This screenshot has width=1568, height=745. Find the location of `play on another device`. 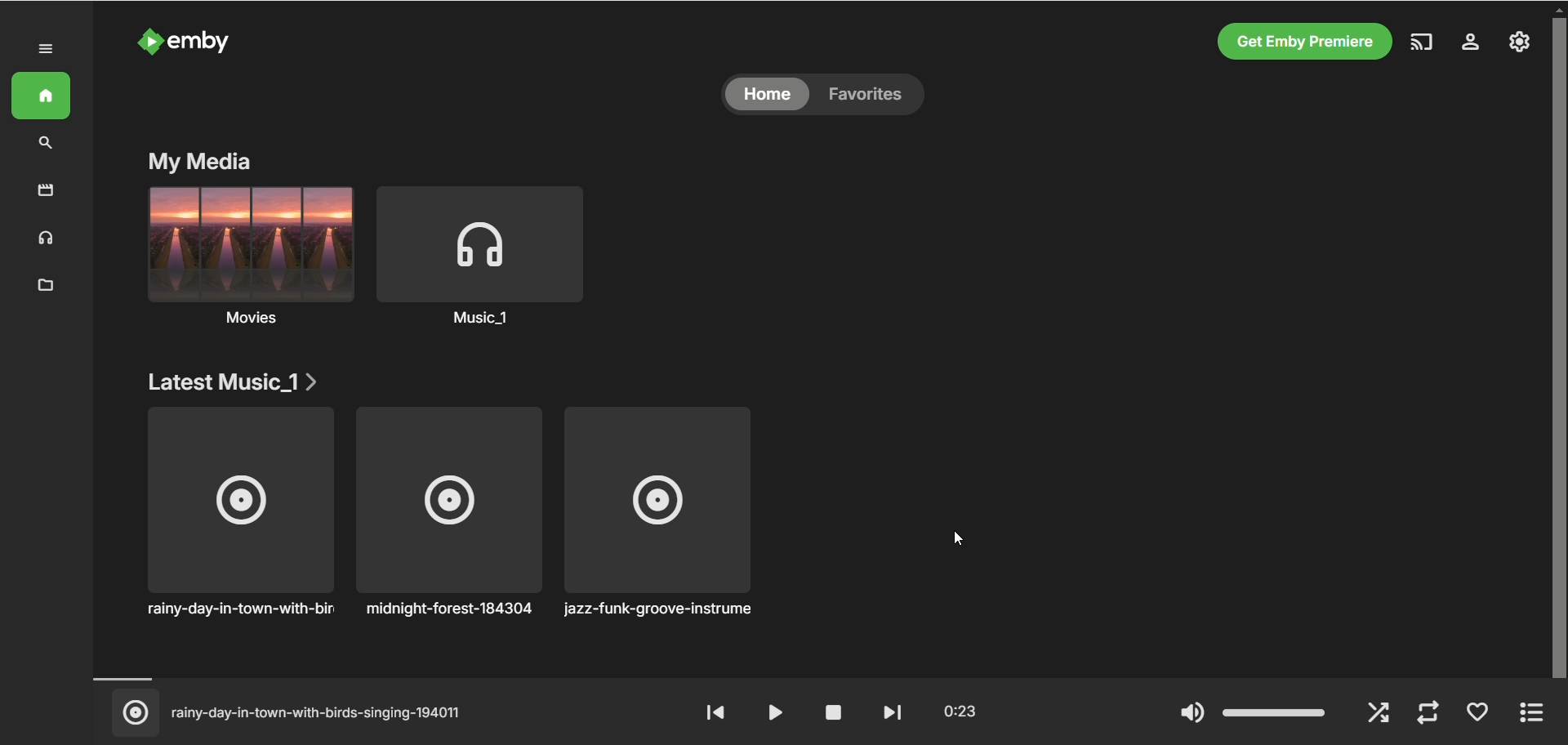

play on another device is located at coordinates (1423, 43).